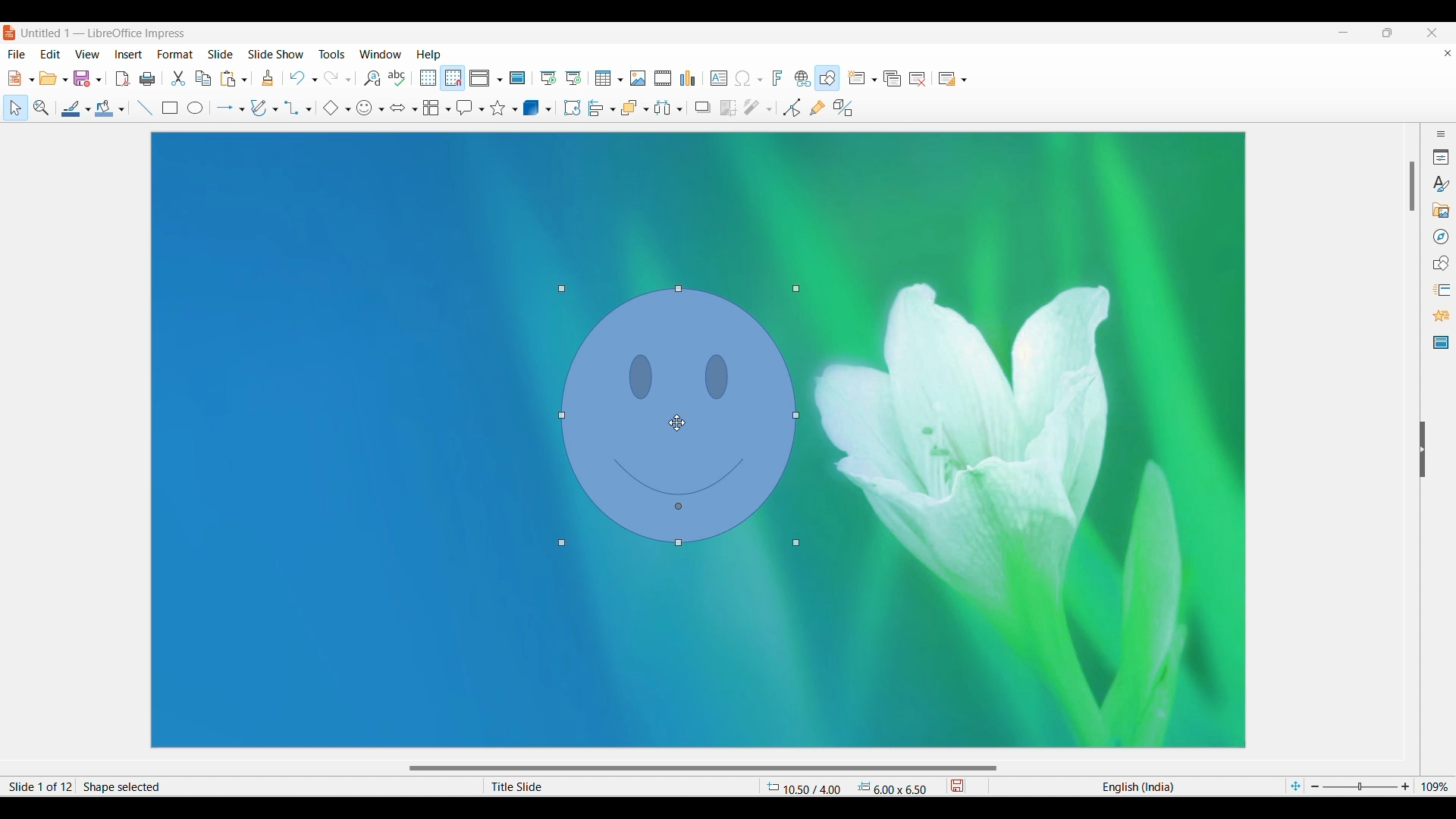  Describe the element at coordinates (664, 108) in the screenshot. I see `Selected objects to distribute option` at that location.